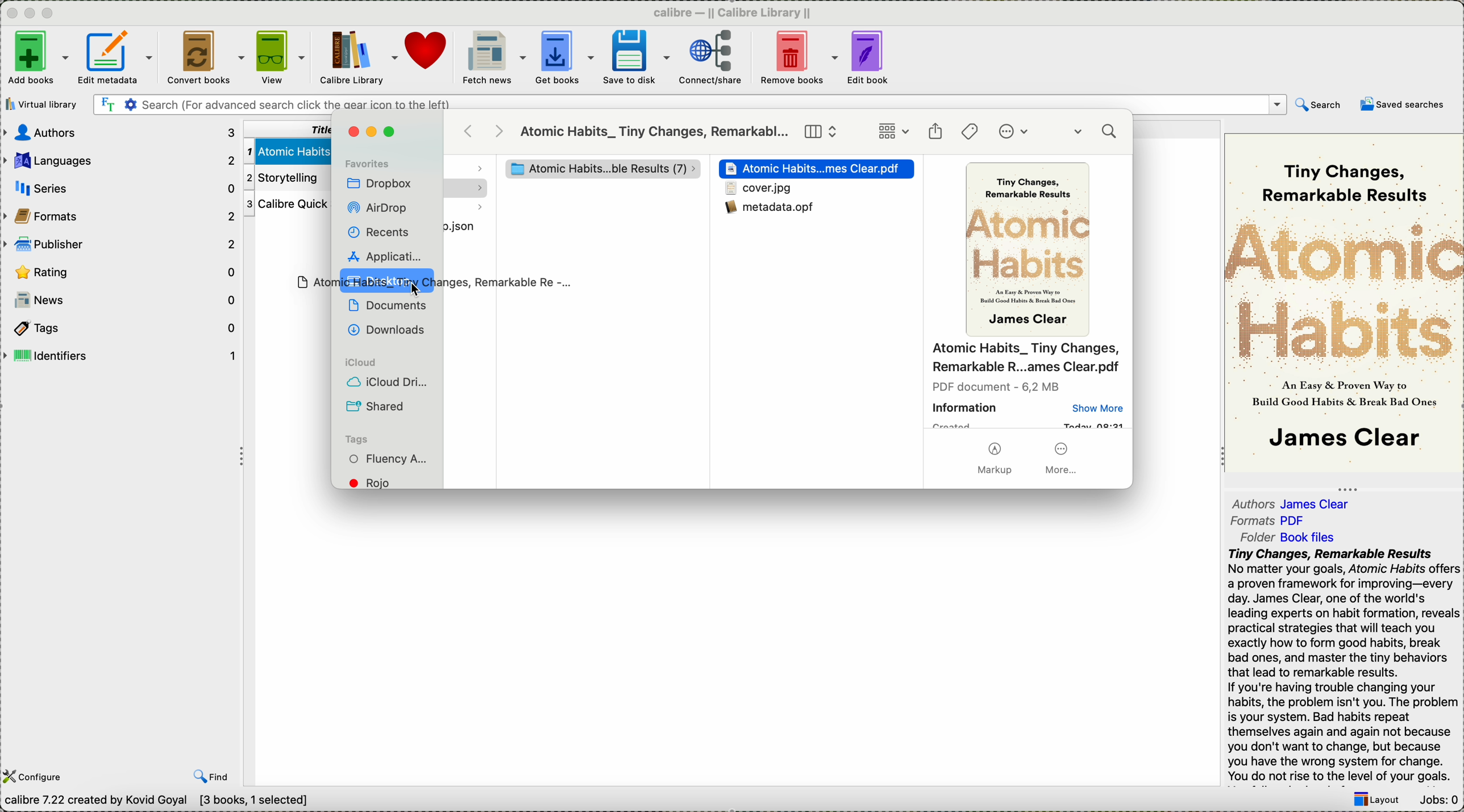  What do you see at coordinates (388, 305) in the screenshot?
I see `Documents` at bounding box center [388, 305].